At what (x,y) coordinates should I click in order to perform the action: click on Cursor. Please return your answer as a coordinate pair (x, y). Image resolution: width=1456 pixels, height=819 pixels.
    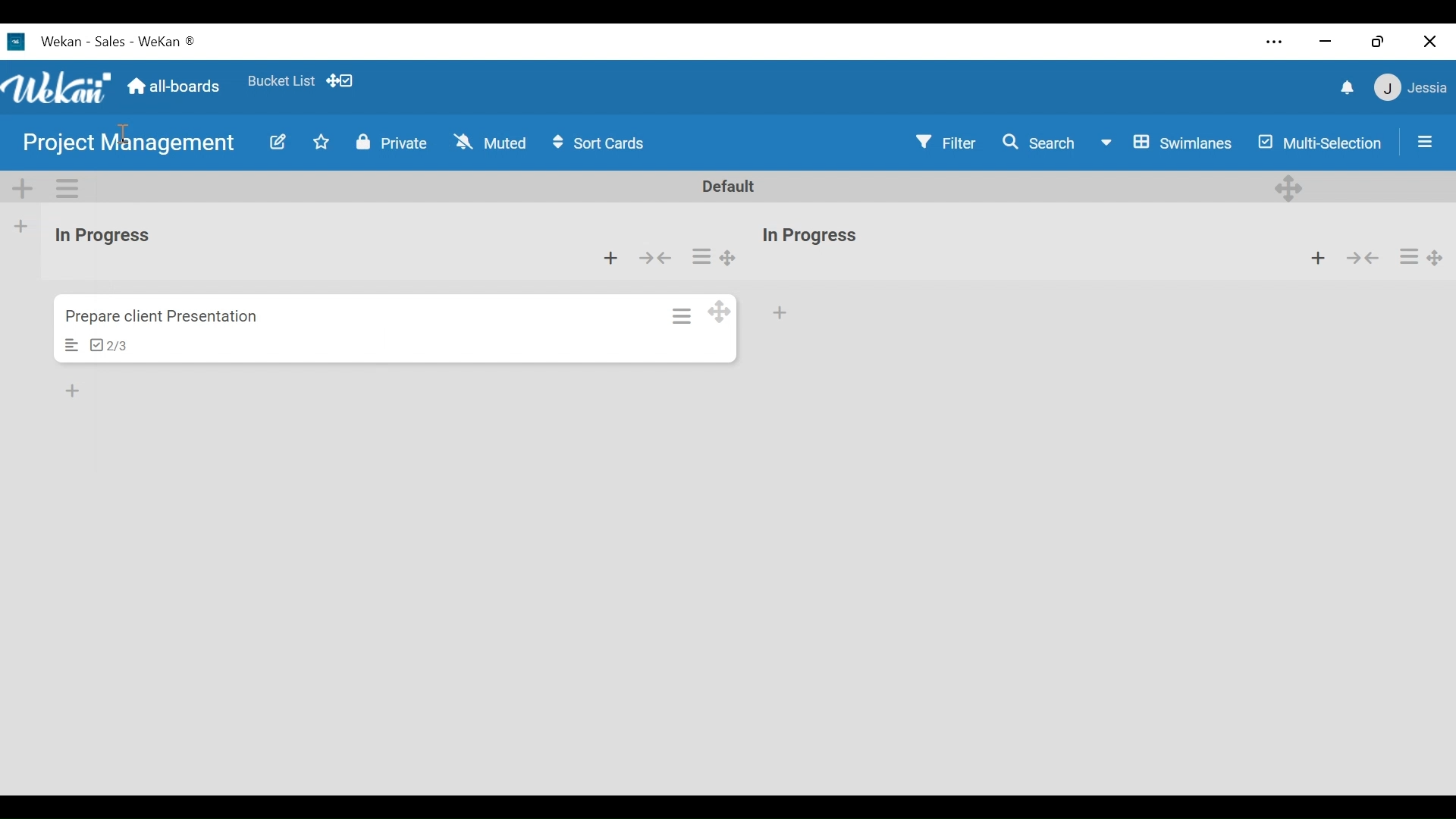
    Looking at the image, I should click on (124, 133).